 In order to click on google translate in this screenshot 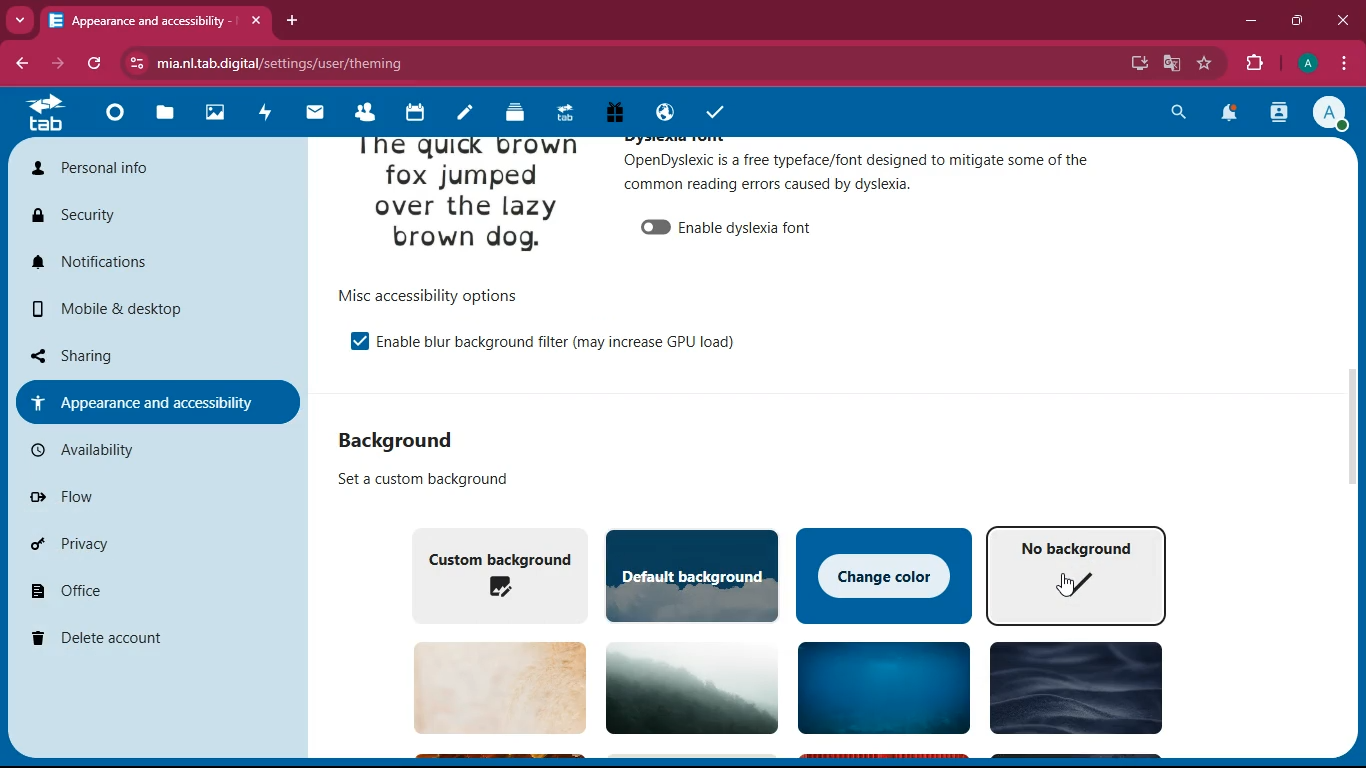, I will do `click(1170, 63)`.